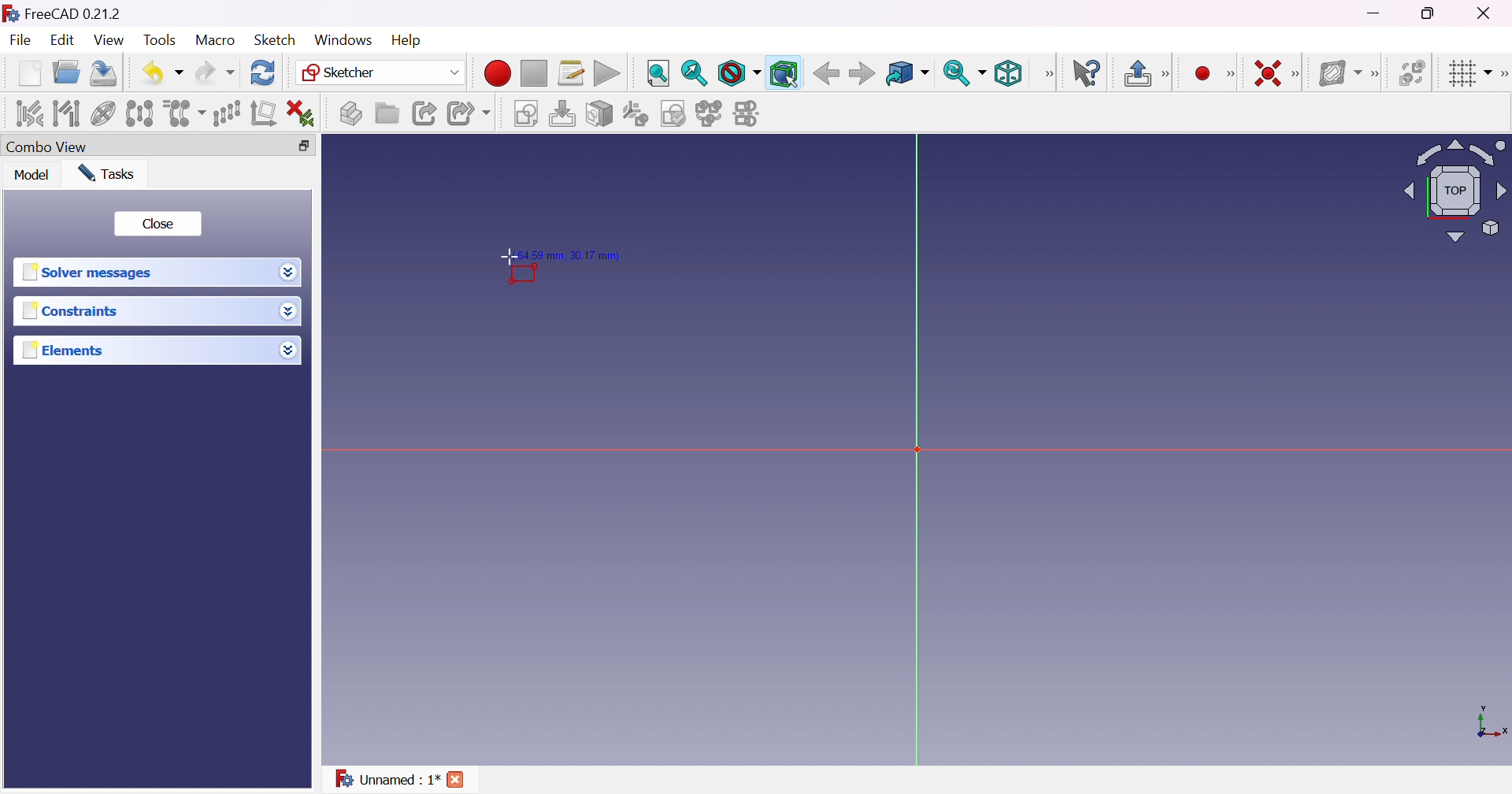 This screenshot has height=794, width=1512. I want to click on Remove axes alignment, so click(262, 114).